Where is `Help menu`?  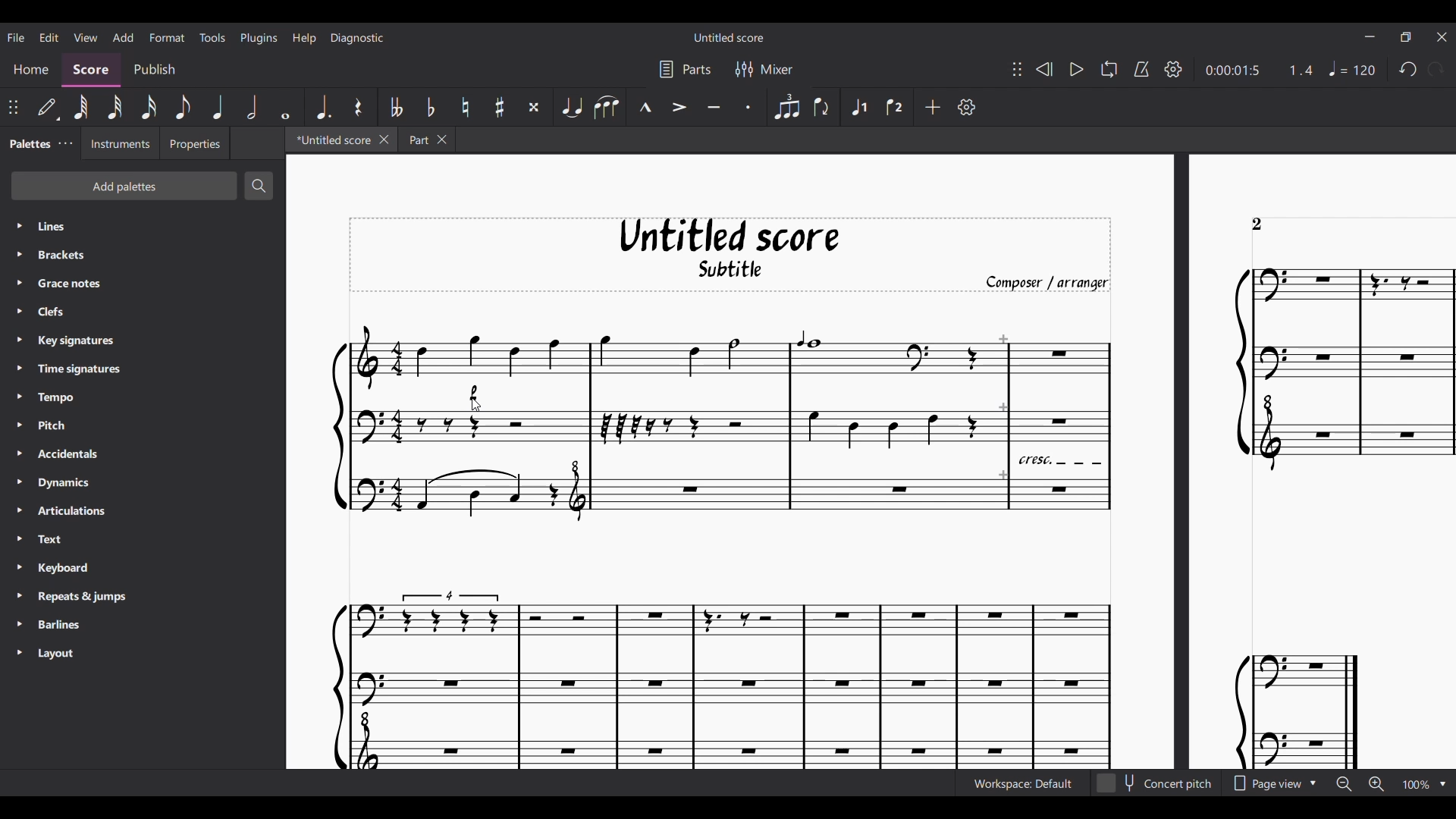
Help menu is located at coordinates (304, 38).